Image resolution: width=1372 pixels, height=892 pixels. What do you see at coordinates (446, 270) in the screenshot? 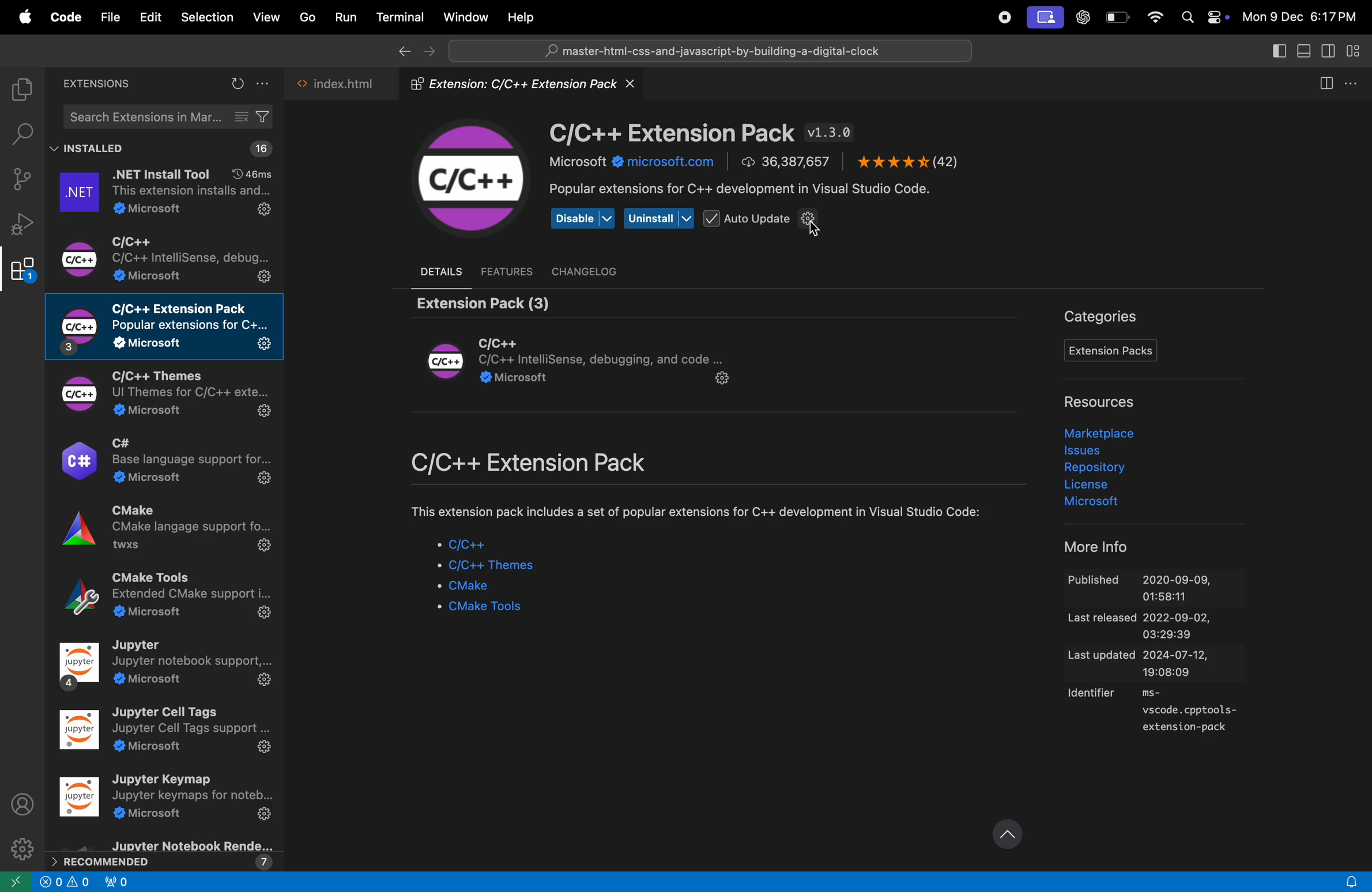
I see `details` at bounding box center [446, 270].